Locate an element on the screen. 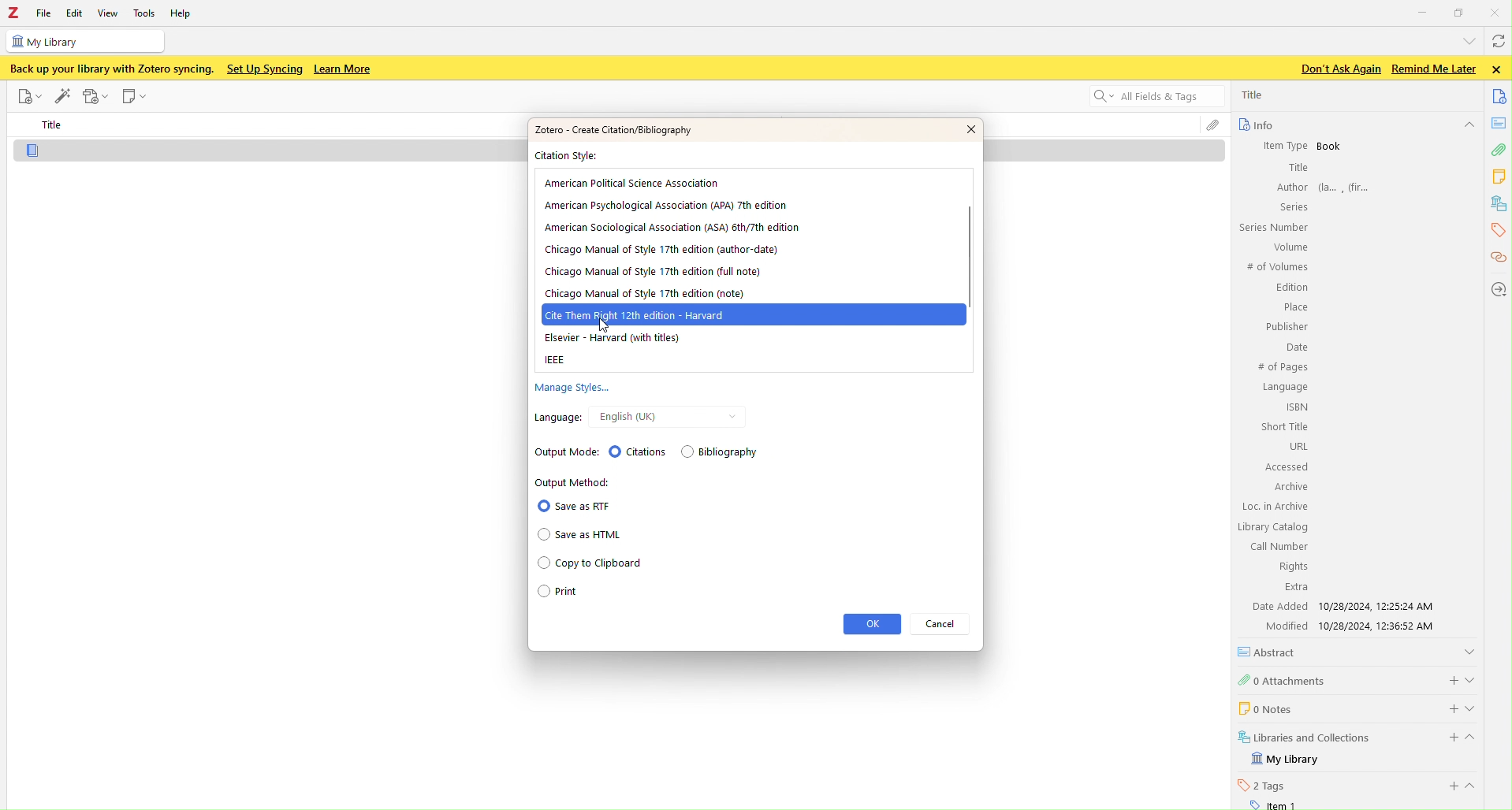 This screenshot has width=1512, height=810. extra is located at coordinates (1296, 588).